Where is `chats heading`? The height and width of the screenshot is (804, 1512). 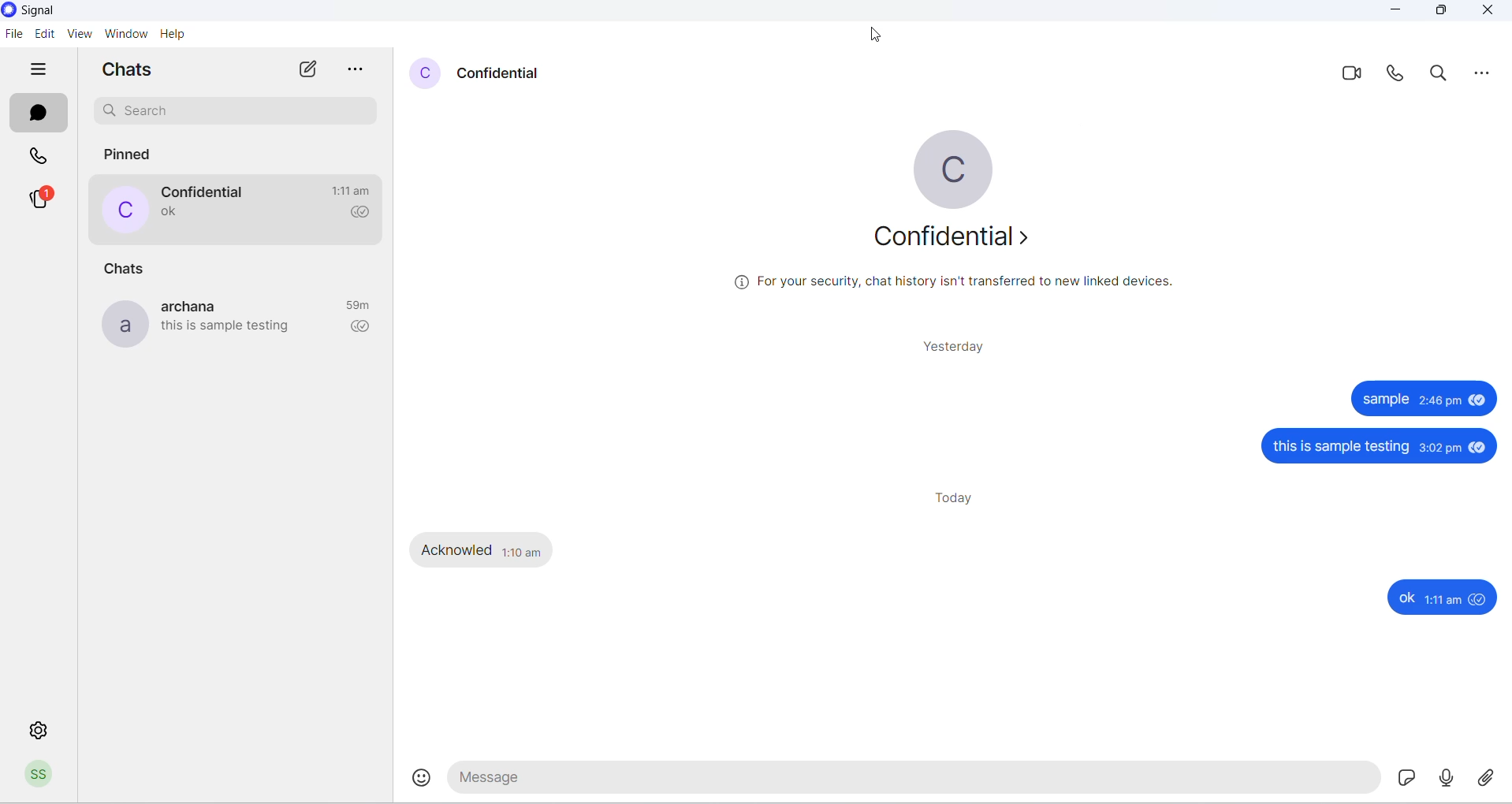 chats heading is located at coordinates (132, 71).